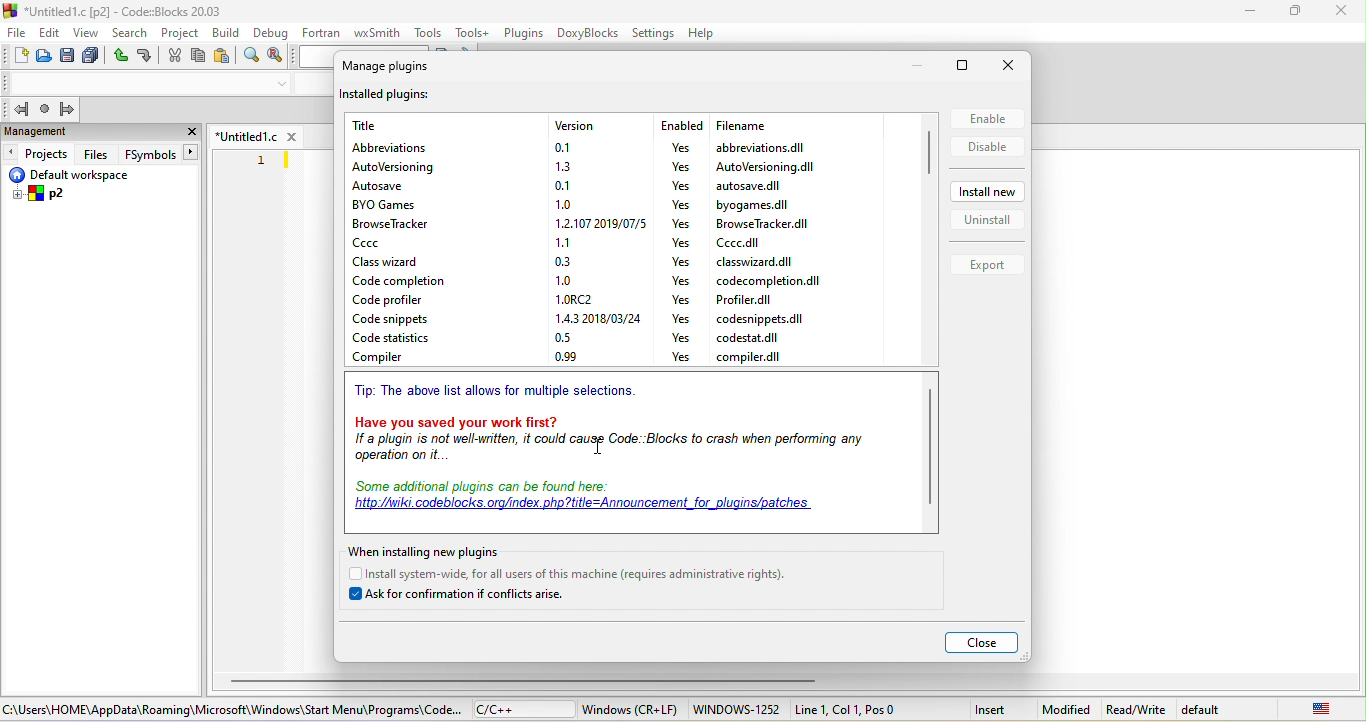  Describe the element at coordinates (563, 166) in the screenshot. I see `1.3` at that location.